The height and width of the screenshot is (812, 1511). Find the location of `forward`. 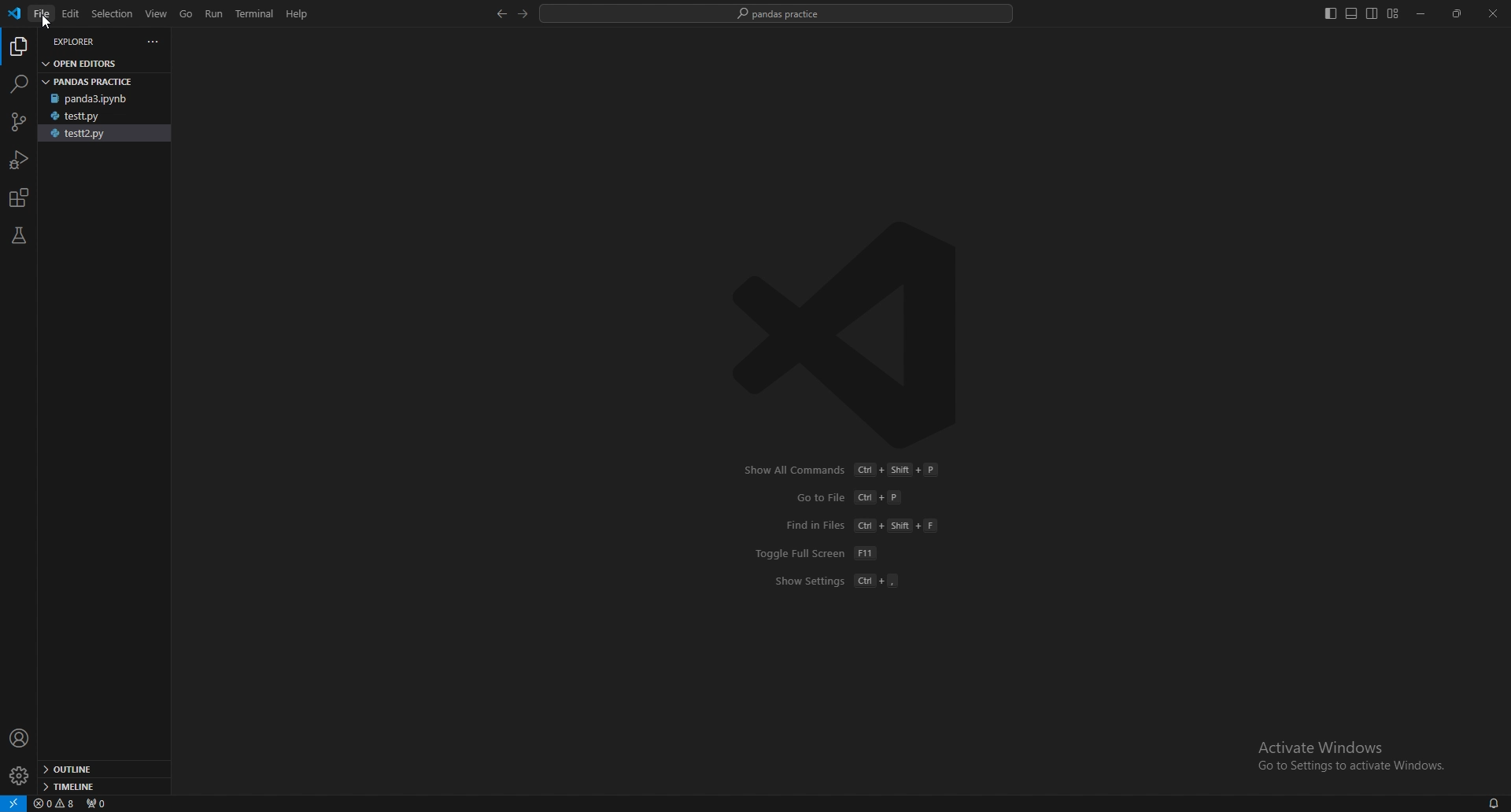

forward is located at coordinates (523, 13).